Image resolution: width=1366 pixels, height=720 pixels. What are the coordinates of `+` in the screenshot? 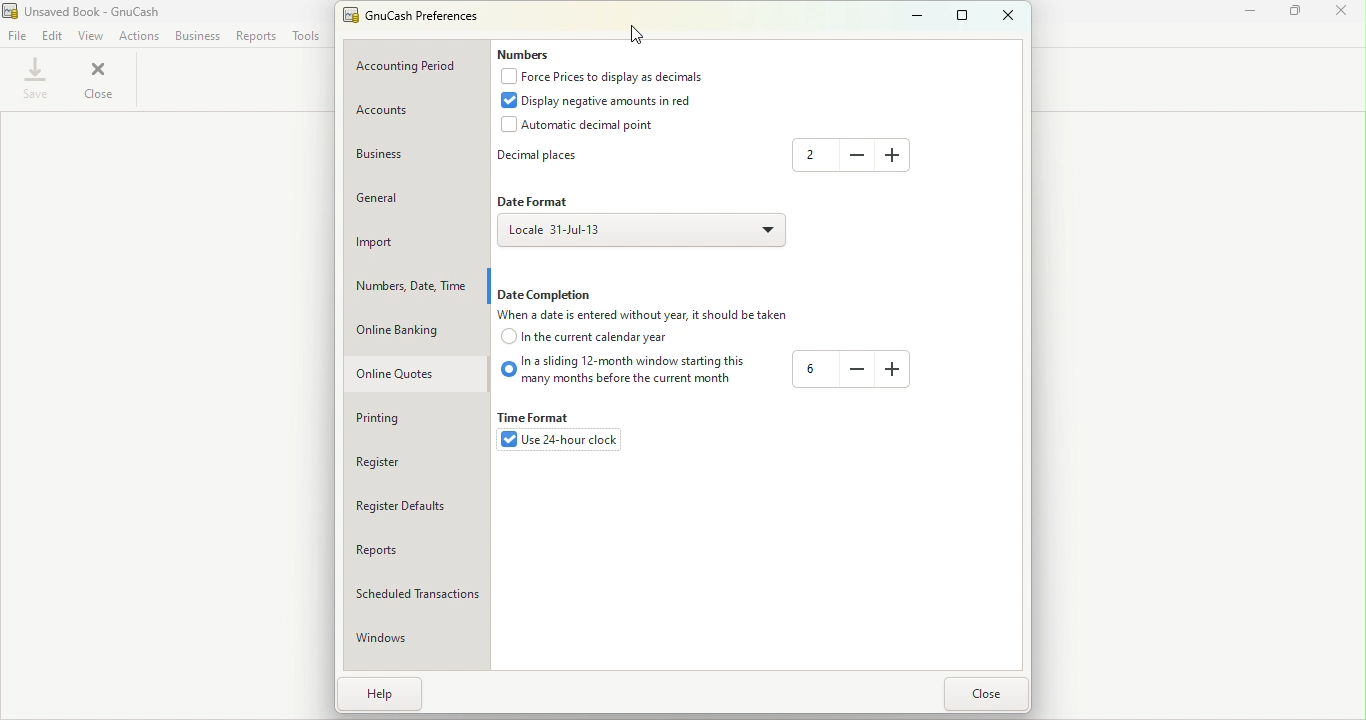 It's located at (893, 153).